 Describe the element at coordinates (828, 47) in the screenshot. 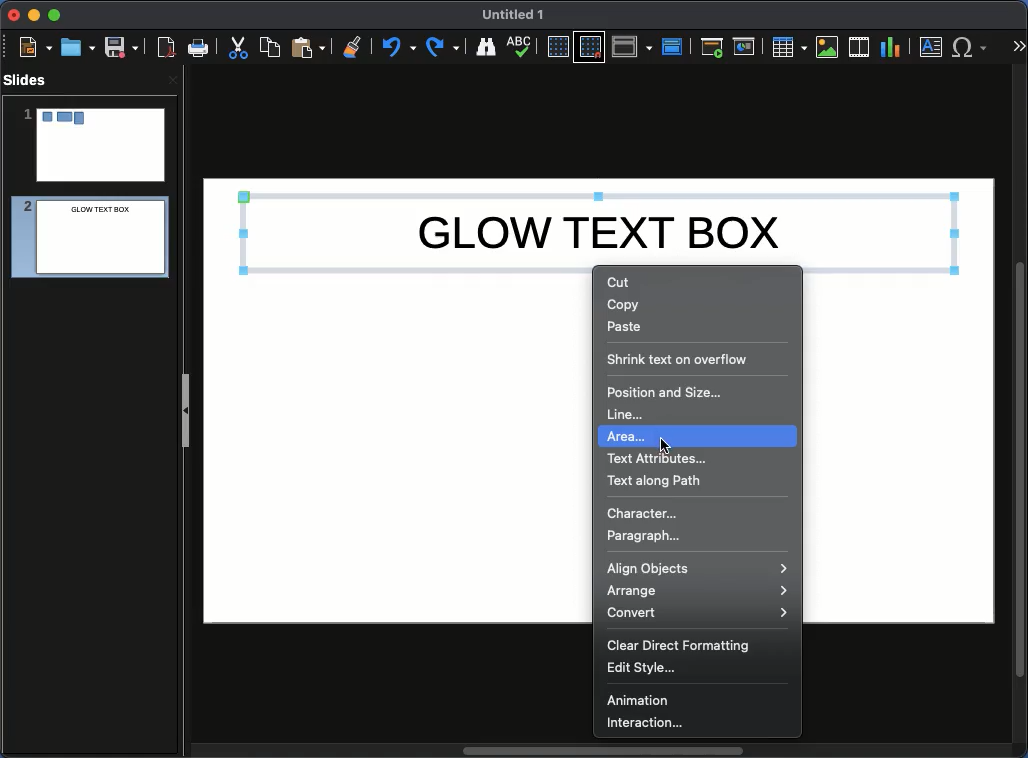

I see `Image` at that location.